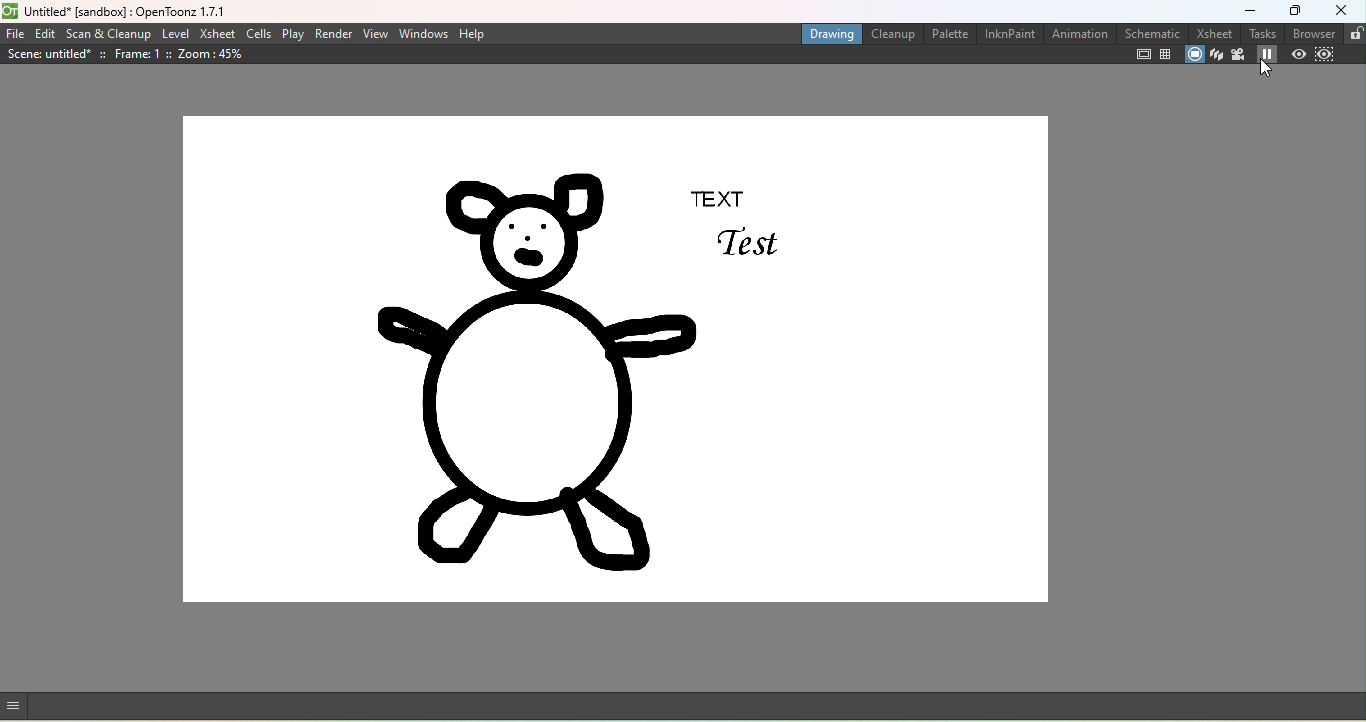  What do you see at coordinates (333, 34) in the screenshot?
I see `Render` at bounding box center [333, 34].